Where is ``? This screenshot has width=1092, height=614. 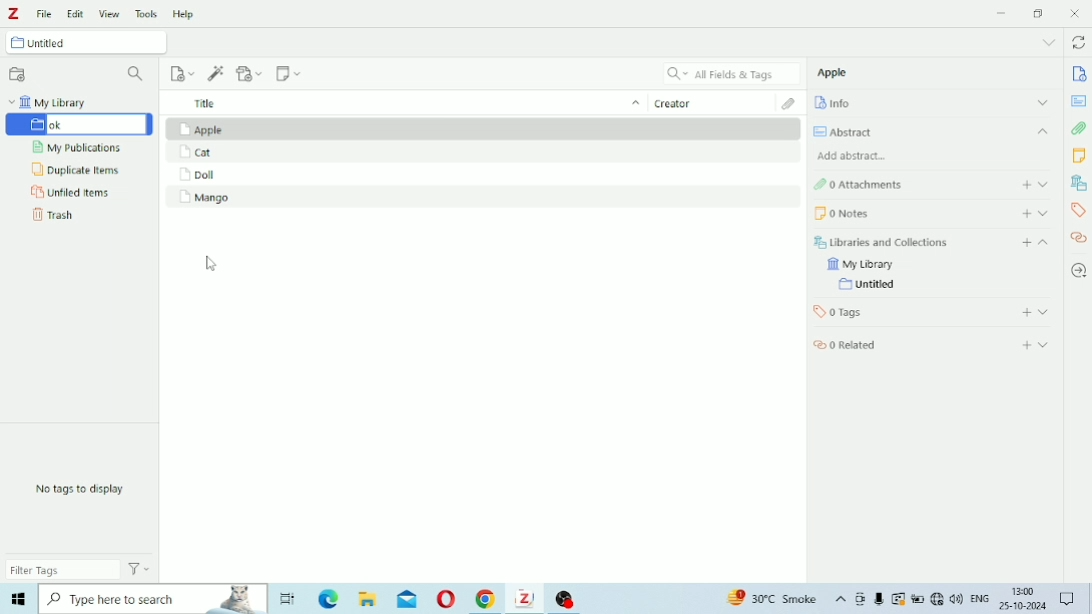  is located at coordinates (328, 598).